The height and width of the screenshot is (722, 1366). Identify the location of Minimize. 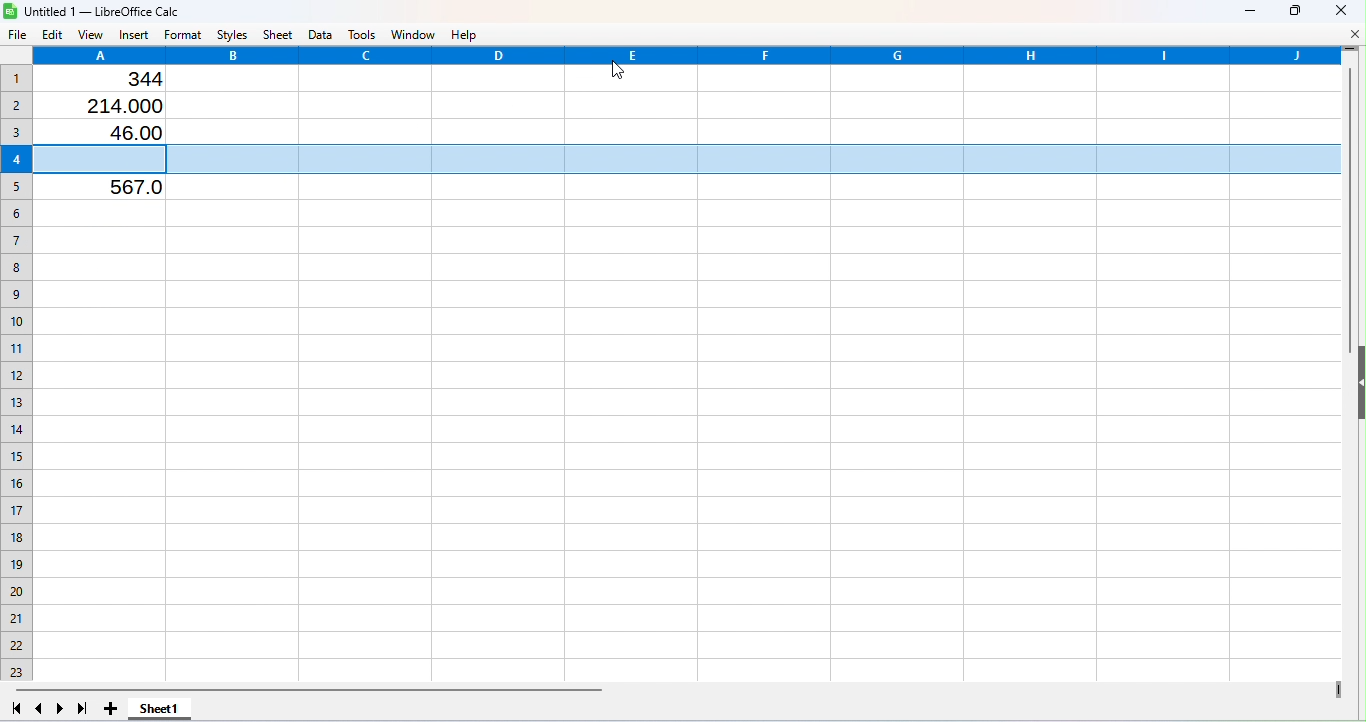
(1248, 12).